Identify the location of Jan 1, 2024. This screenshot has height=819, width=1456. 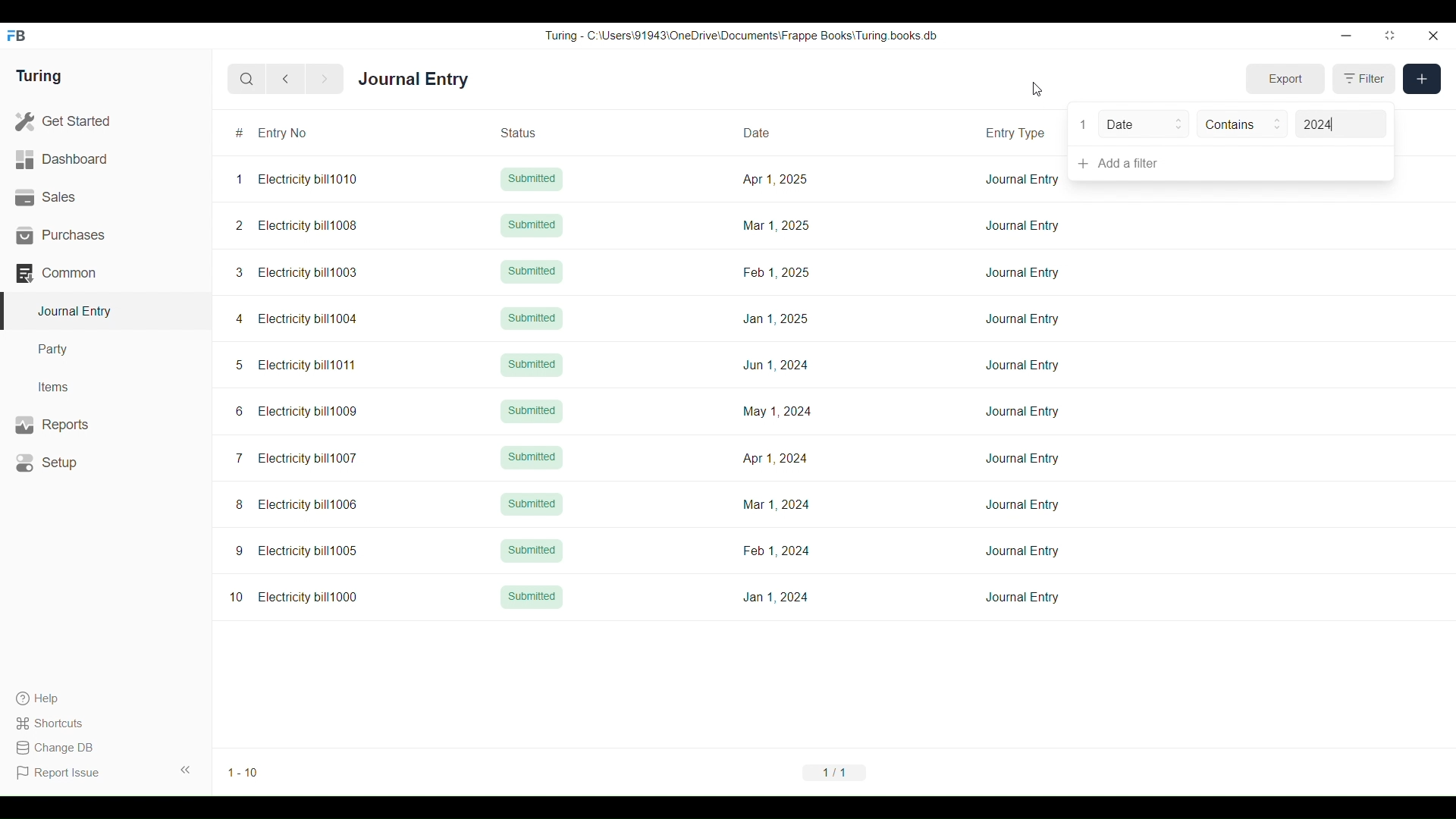
(775, 597).